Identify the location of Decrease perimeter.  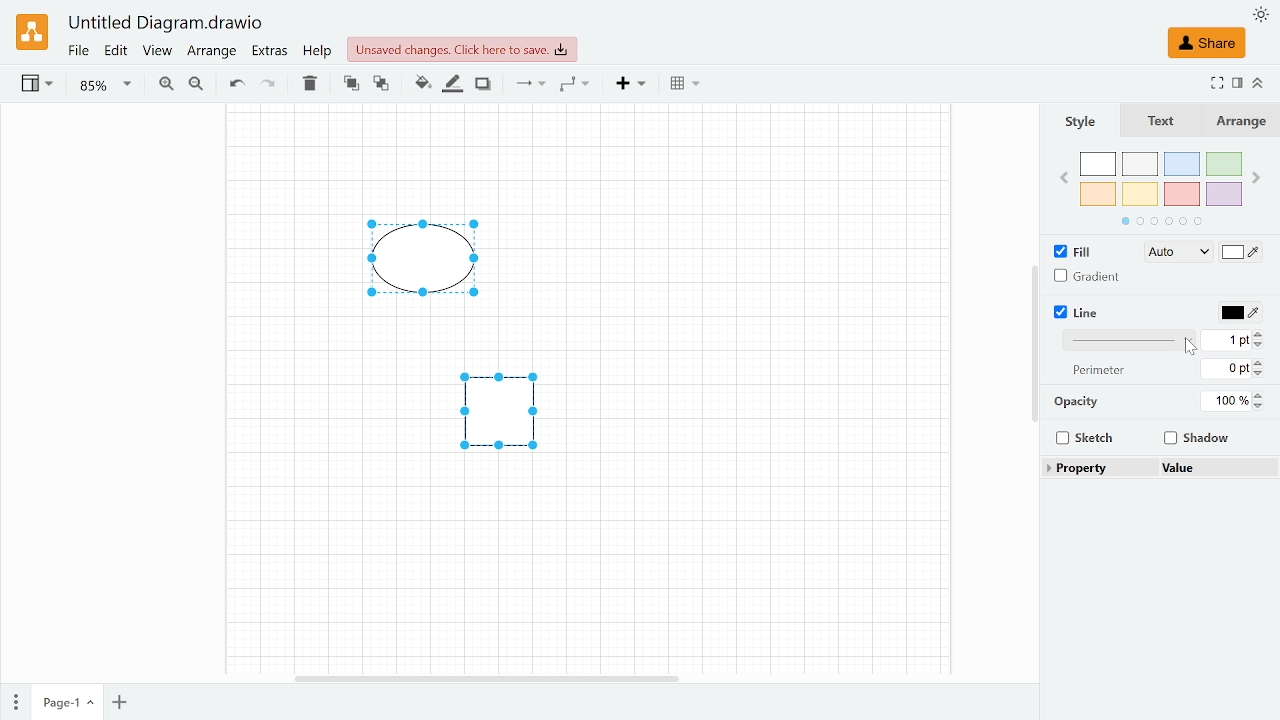
(1262, 374).